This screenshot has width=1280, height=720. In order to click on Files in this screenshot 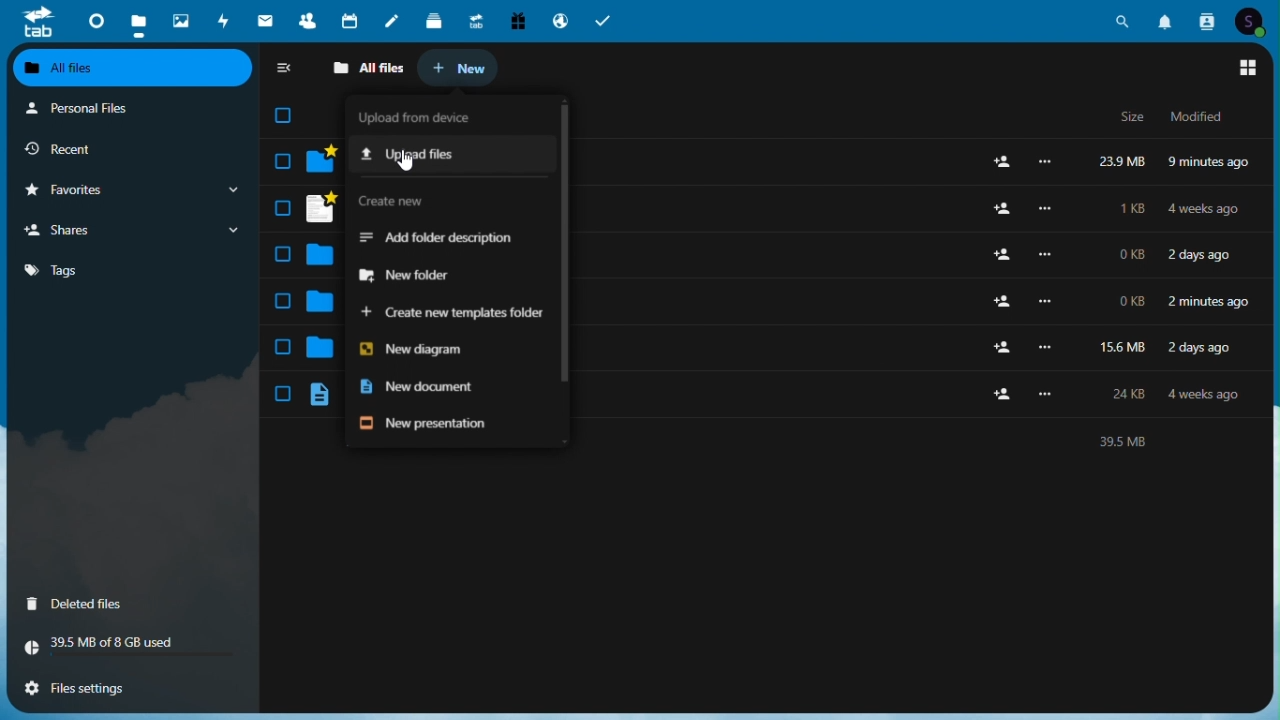, I will do `click(1111, 344)`.